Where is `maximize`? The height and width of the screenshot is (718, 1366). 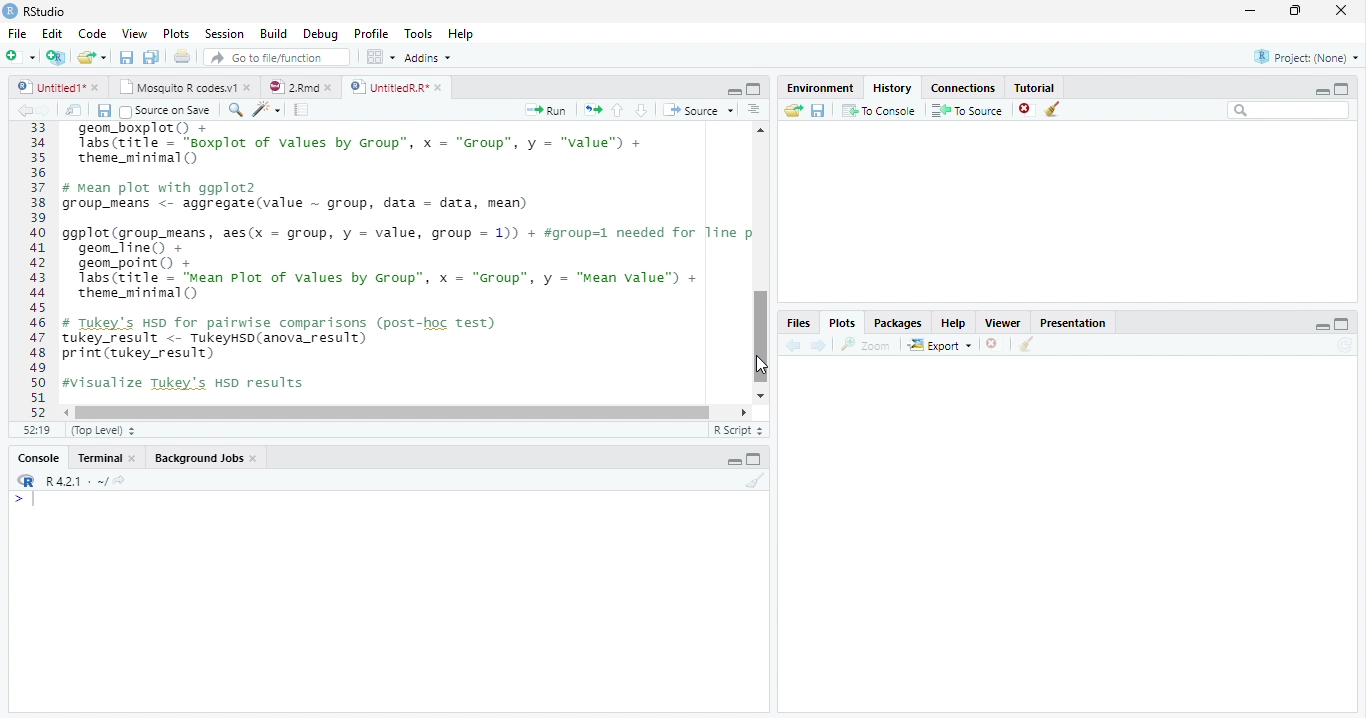
maximize is located at coordinates (1345, 88).